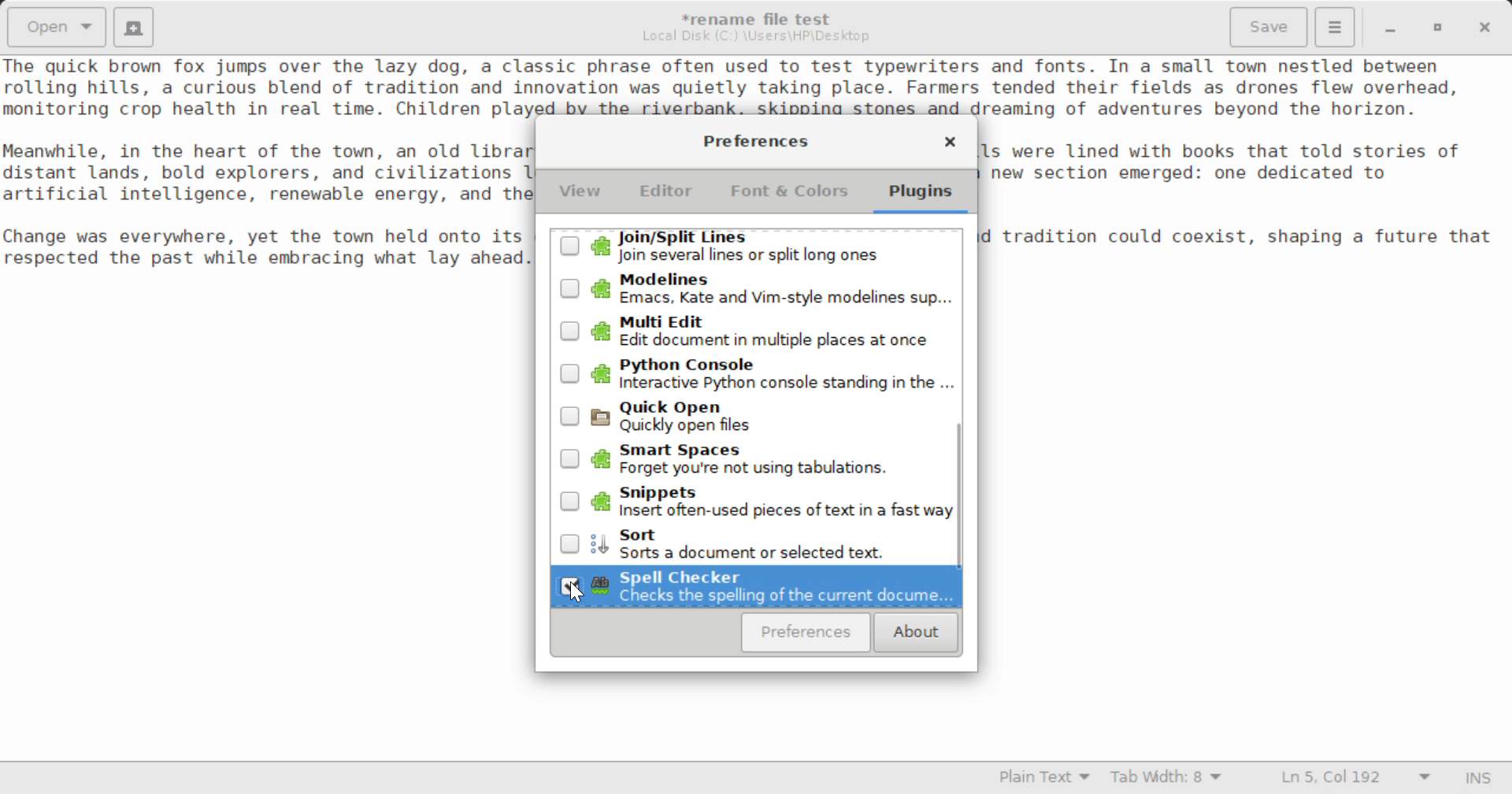 This screenshot has width=1512, height=794. What do you see at coordinates (754, 247) in the screenshot?
I see `Unselected Join/Split Lines Plugin` at bounding box center [754, 247].